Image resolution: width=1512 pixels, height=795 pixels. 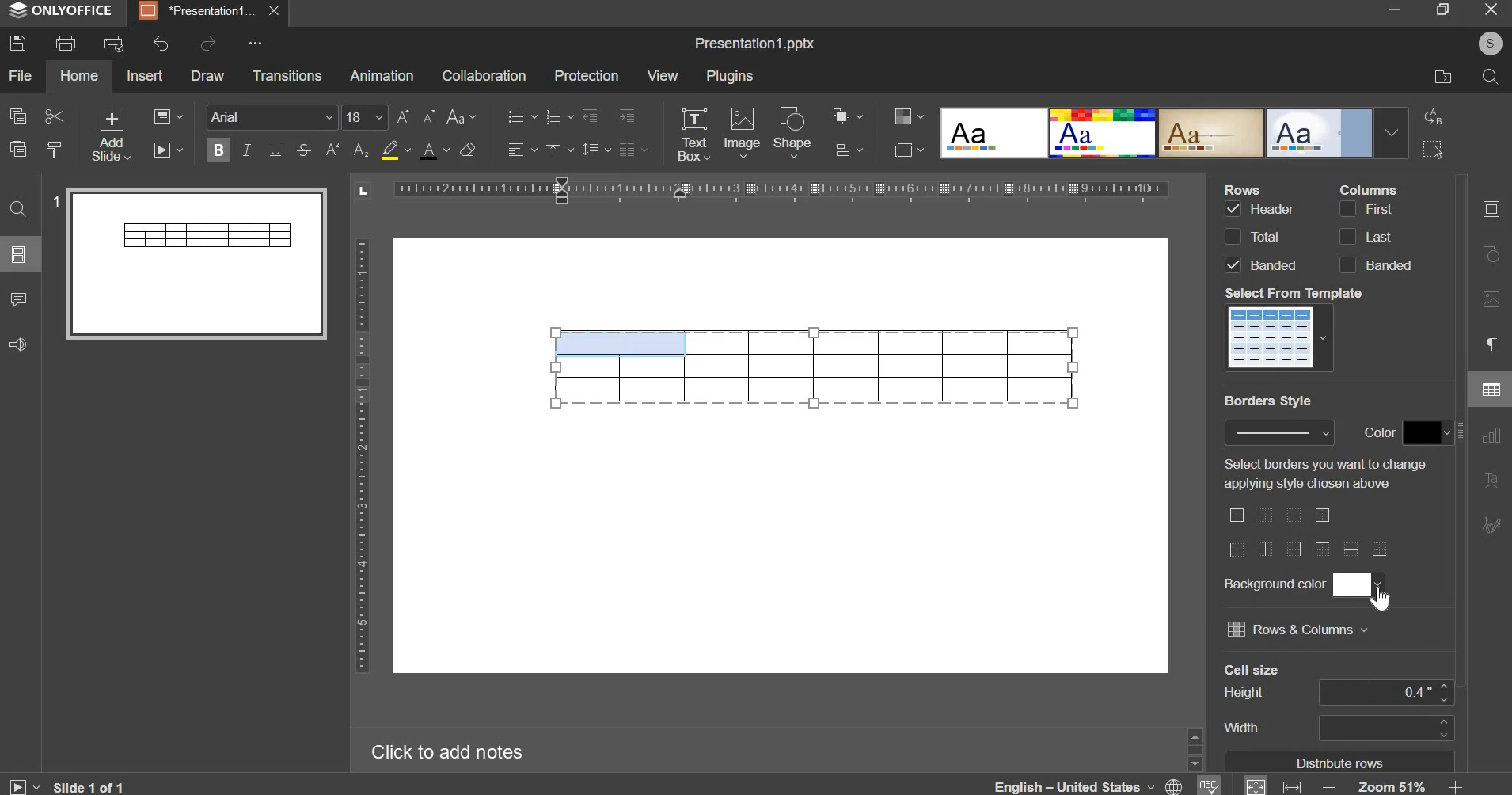 I want to click on Color, so click(x=1381, y=432).